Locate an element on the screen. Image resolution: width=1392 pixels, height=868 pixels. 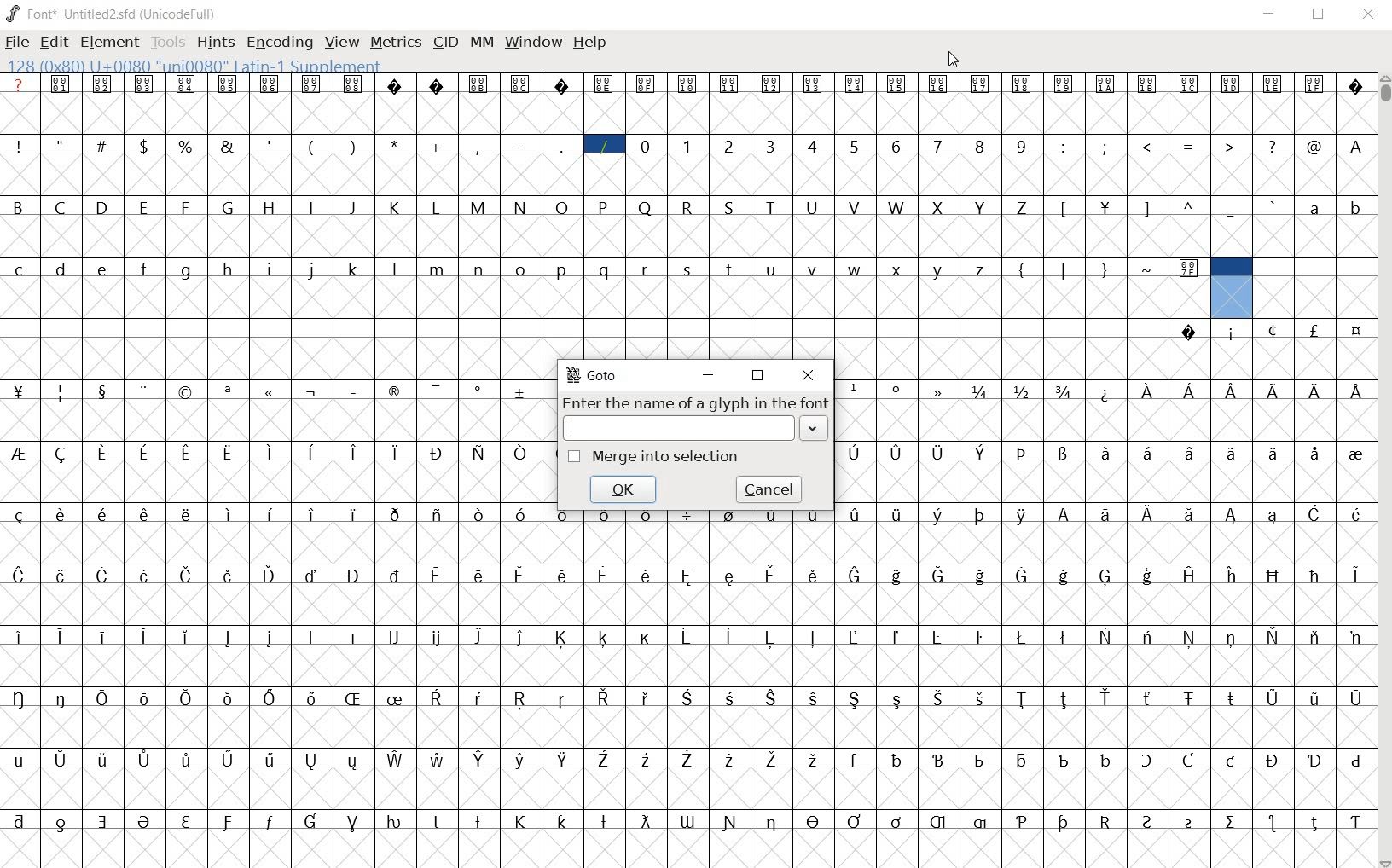
& is located at coordinates (229, 146).